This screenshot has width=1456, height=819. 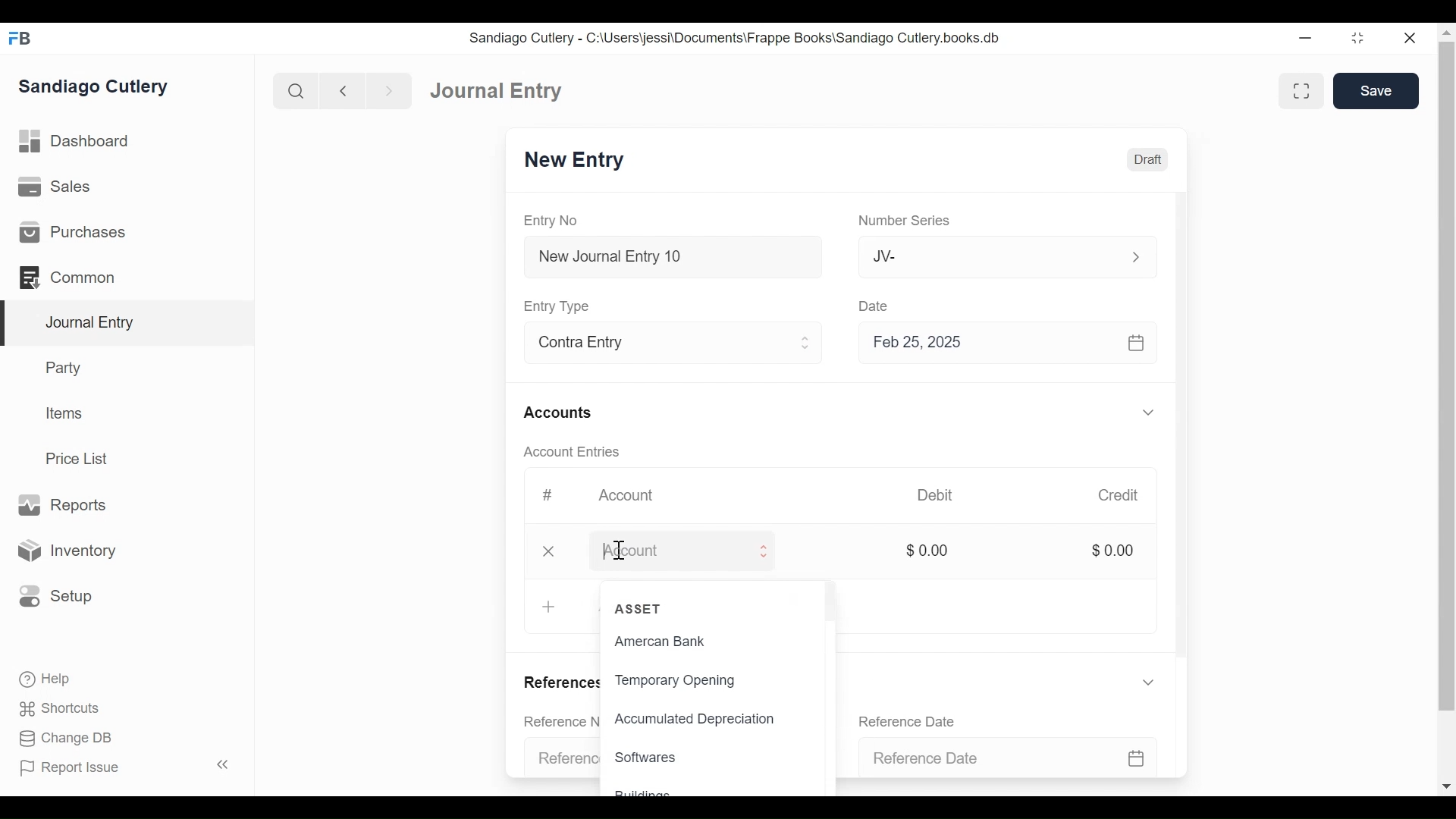 What do you see at coordinates (55, 708) in the screenshot?
I see `Shortcuts` at bounding box center [55, 708].